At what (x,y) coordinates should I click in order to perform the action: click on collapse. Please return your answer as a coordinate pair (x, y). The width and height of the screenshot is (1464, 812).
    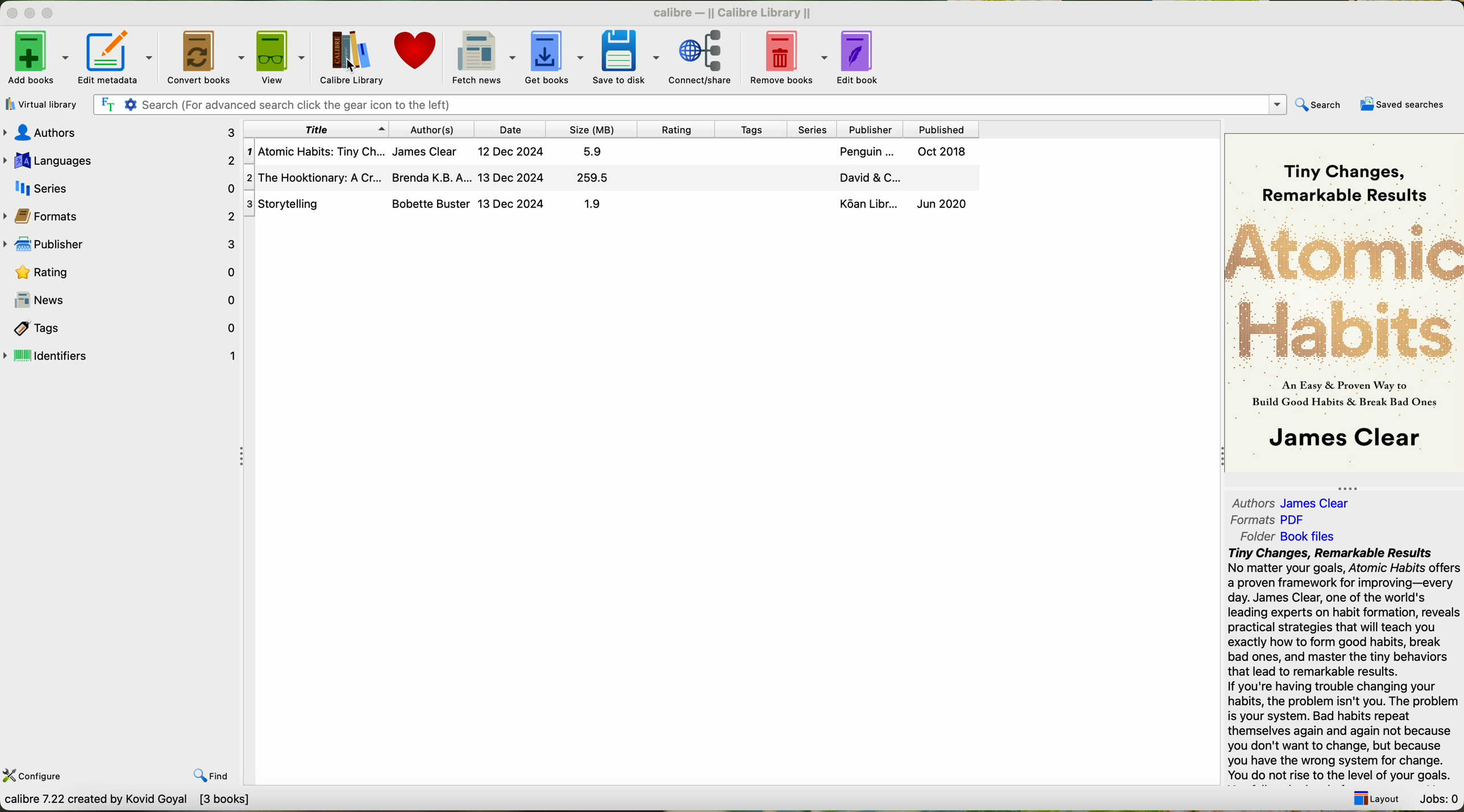
    Looking at the image, I should click on (1218, 458).